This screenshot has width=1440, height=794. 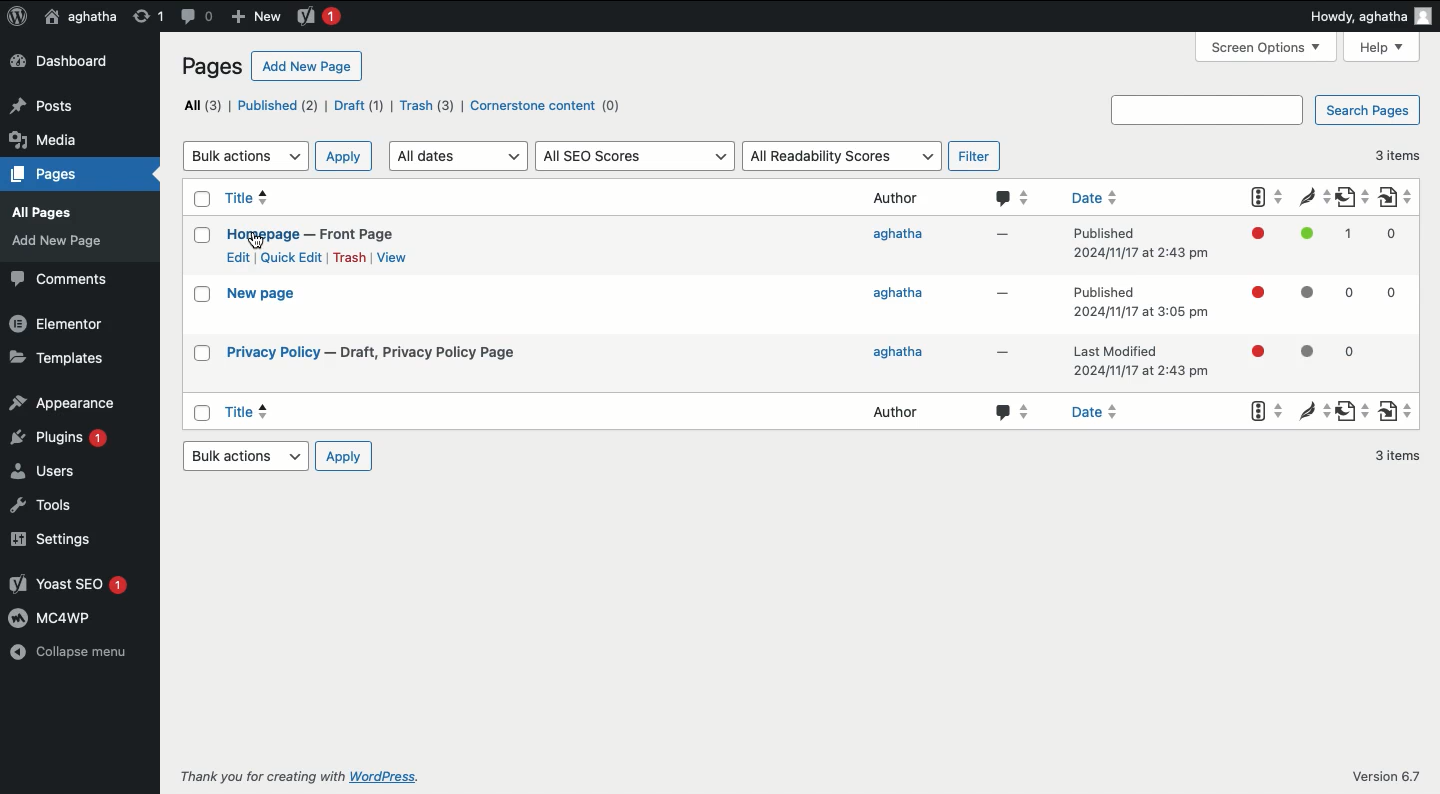 What do you see at coordinates (78, 18) in the screenshot?
I see `User` at bounding box center [78, 18].